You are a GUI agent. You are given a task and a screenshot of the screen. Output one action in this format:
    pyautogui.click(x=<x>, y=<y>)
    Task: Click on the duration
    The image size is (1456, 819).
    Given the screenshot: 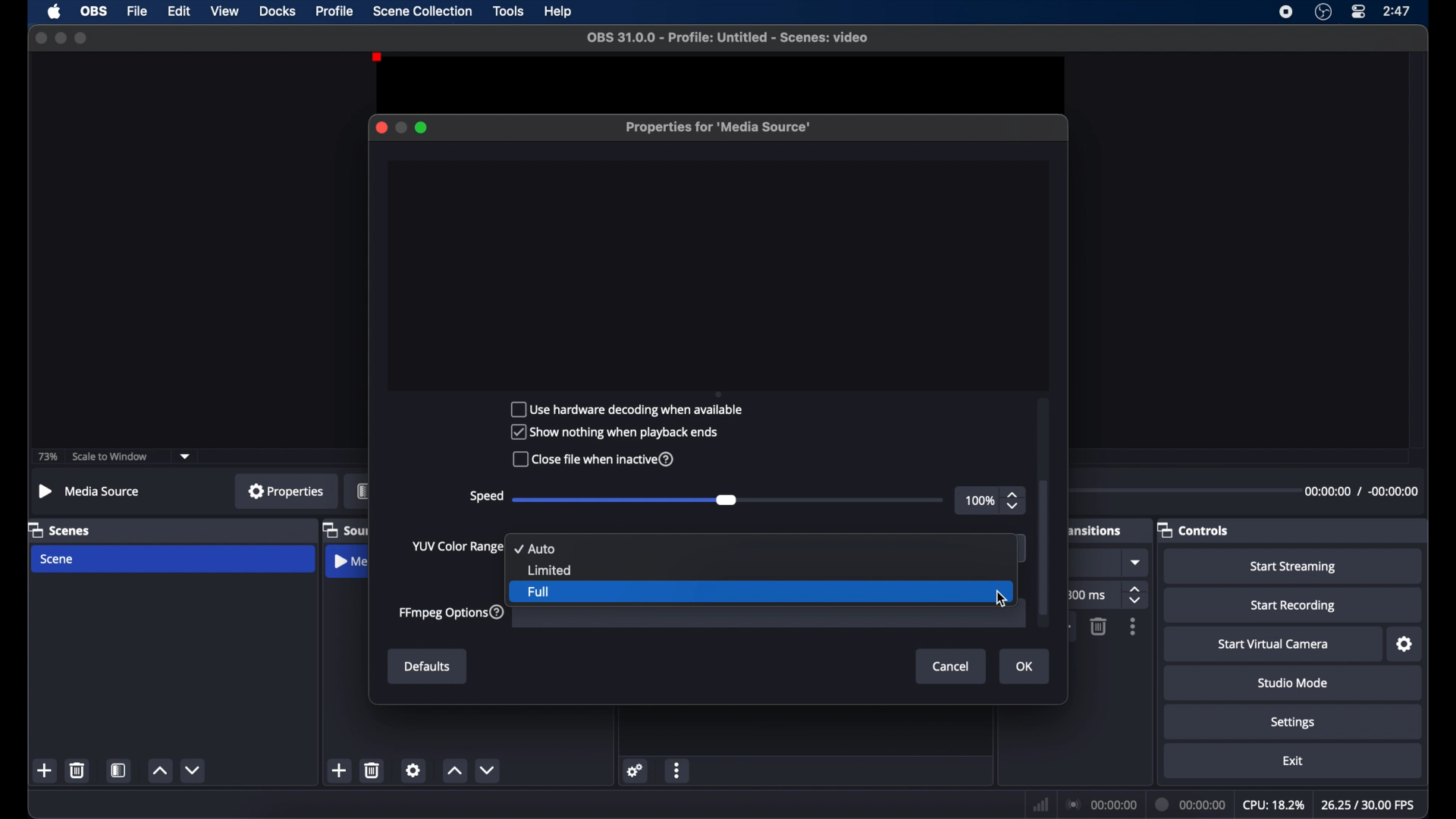 What is the action you would take?
    pyautogui.click(x=1360, y=491)
    